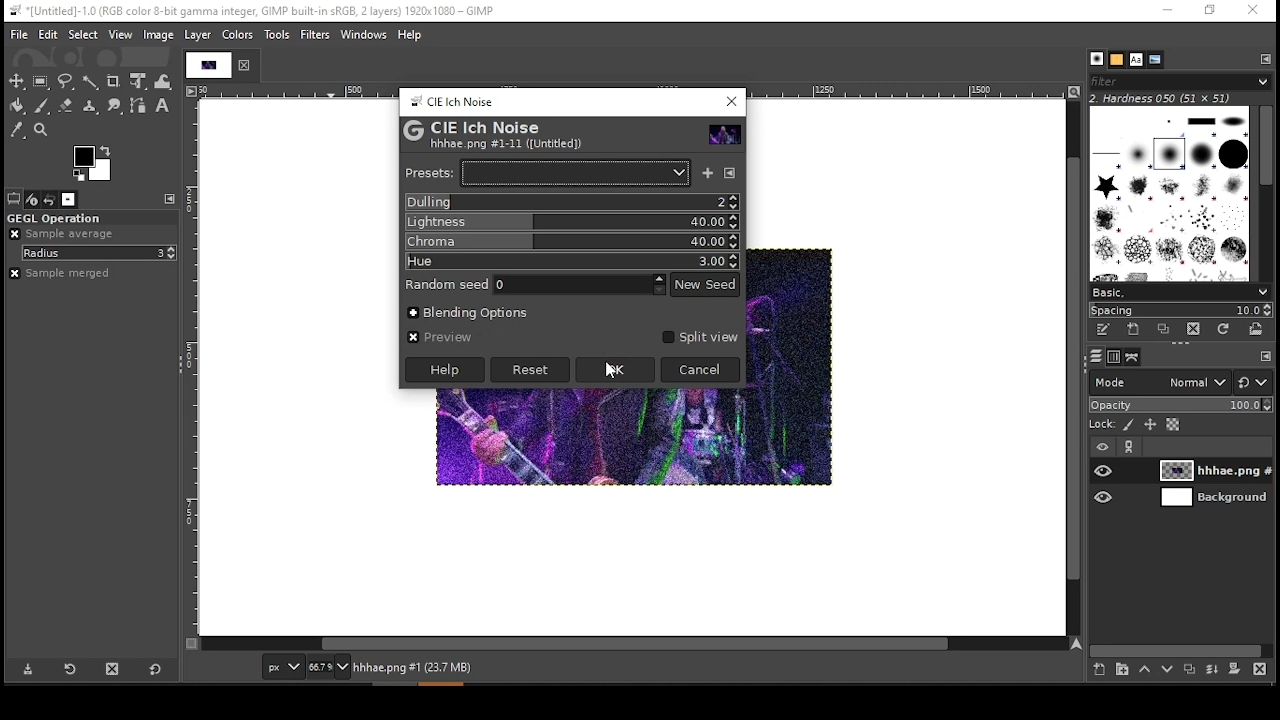  I want to click on rectangular selection tool, so click(40, 81).